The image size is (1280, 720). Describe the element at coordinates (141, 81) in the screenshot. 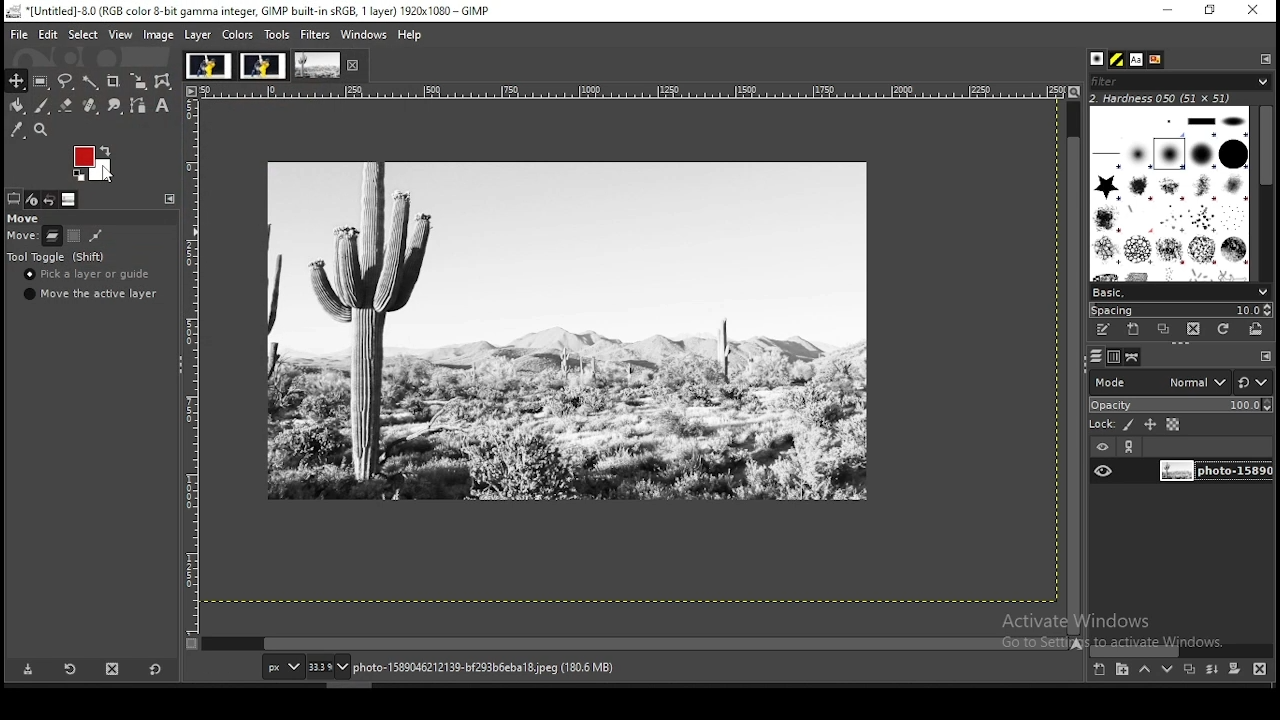

I see `scale tool` at that location.